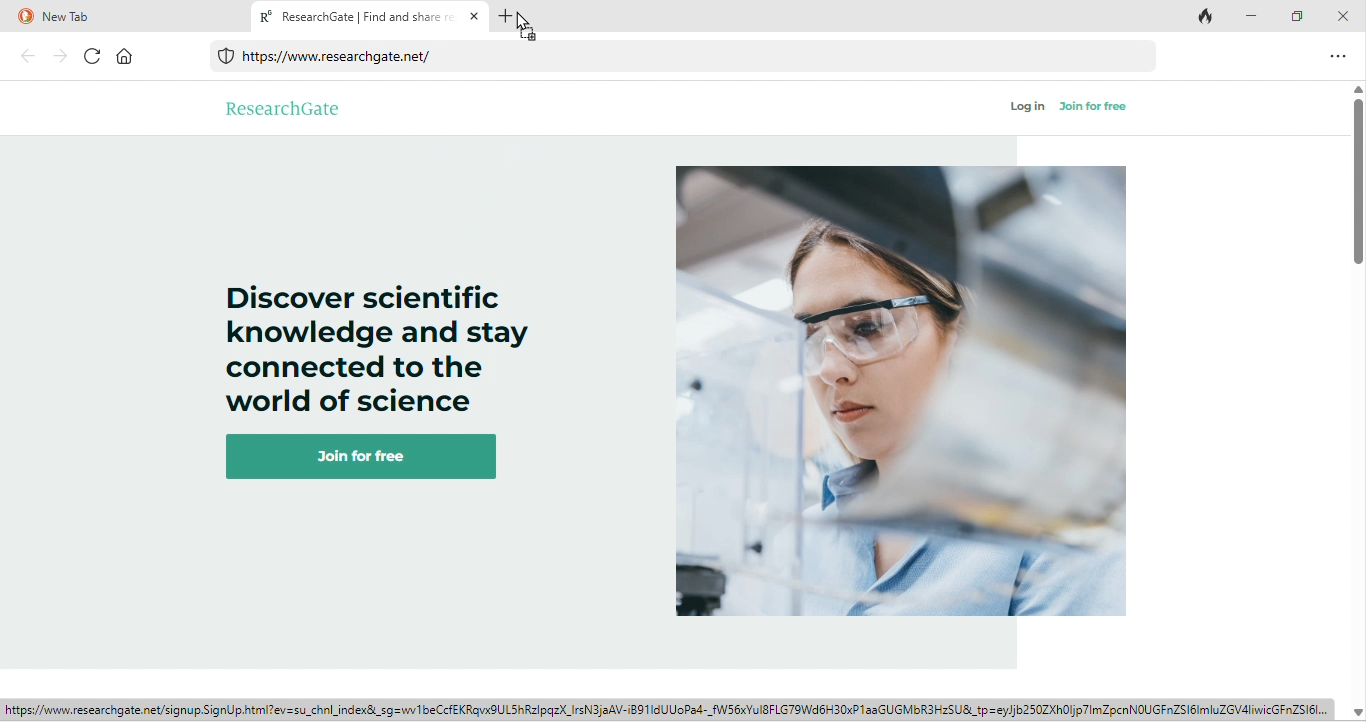 This screenshot has width=1366, height=722. Describe the element at coordinates (1297, 17) in the screenshot. I see `maximize` at that location.